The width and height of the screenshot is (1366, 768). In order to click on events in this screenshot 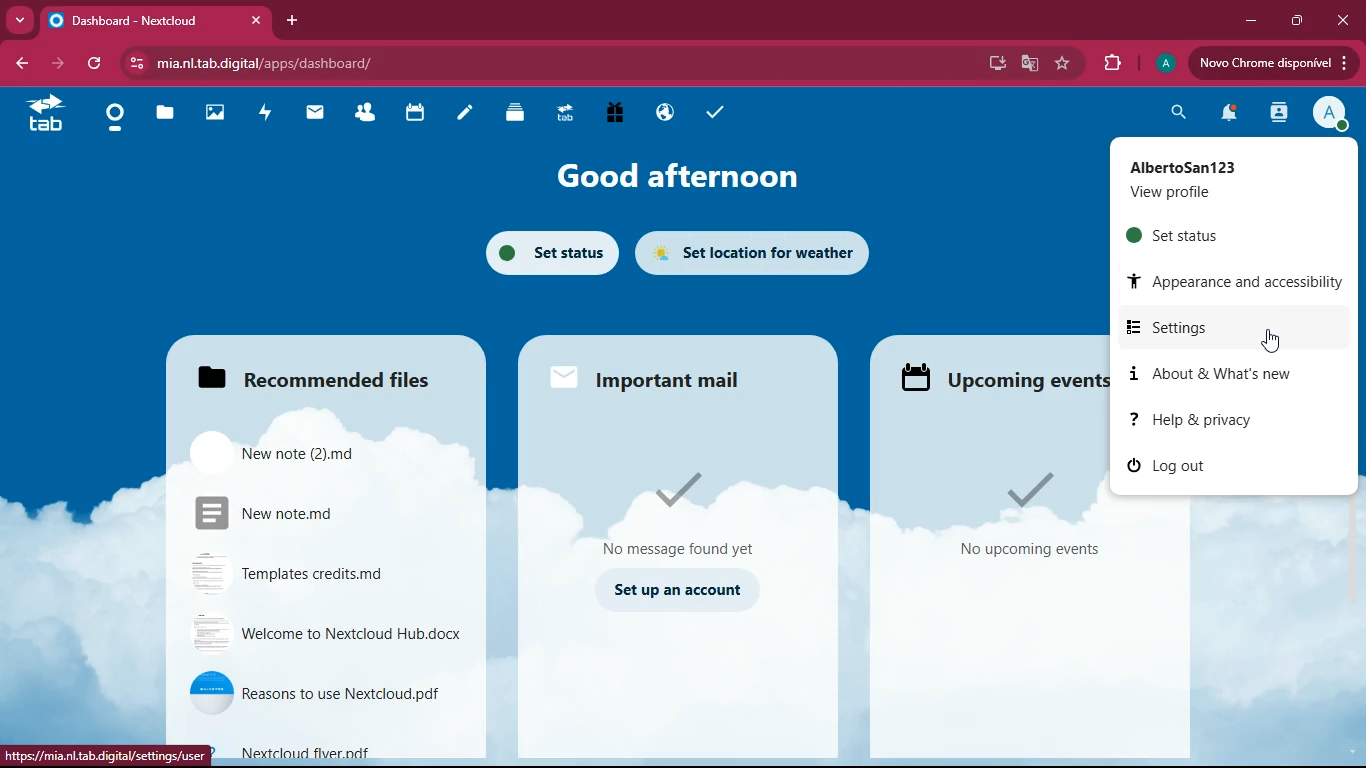, I will do `click(1021, 515)`.